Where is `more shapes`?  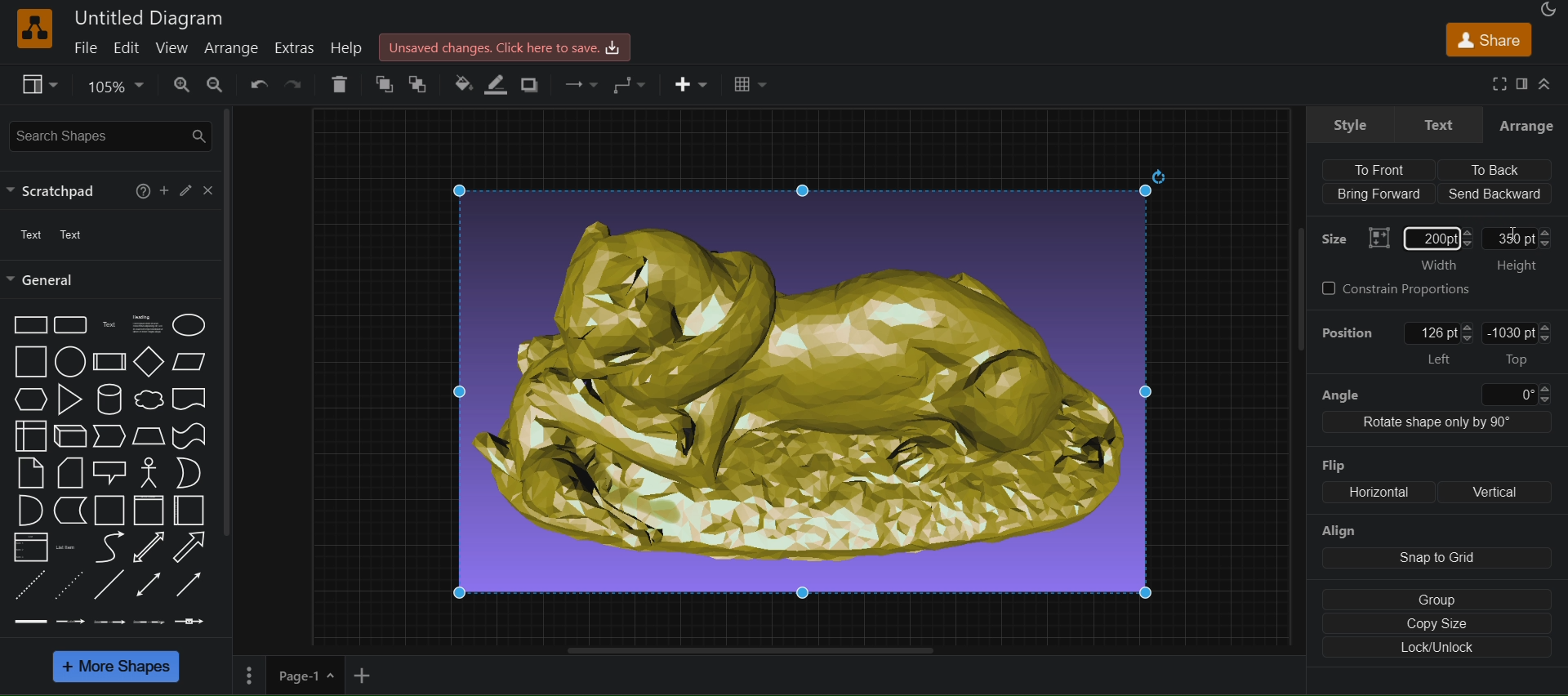 more shapes is located at coordinates (119, 668).